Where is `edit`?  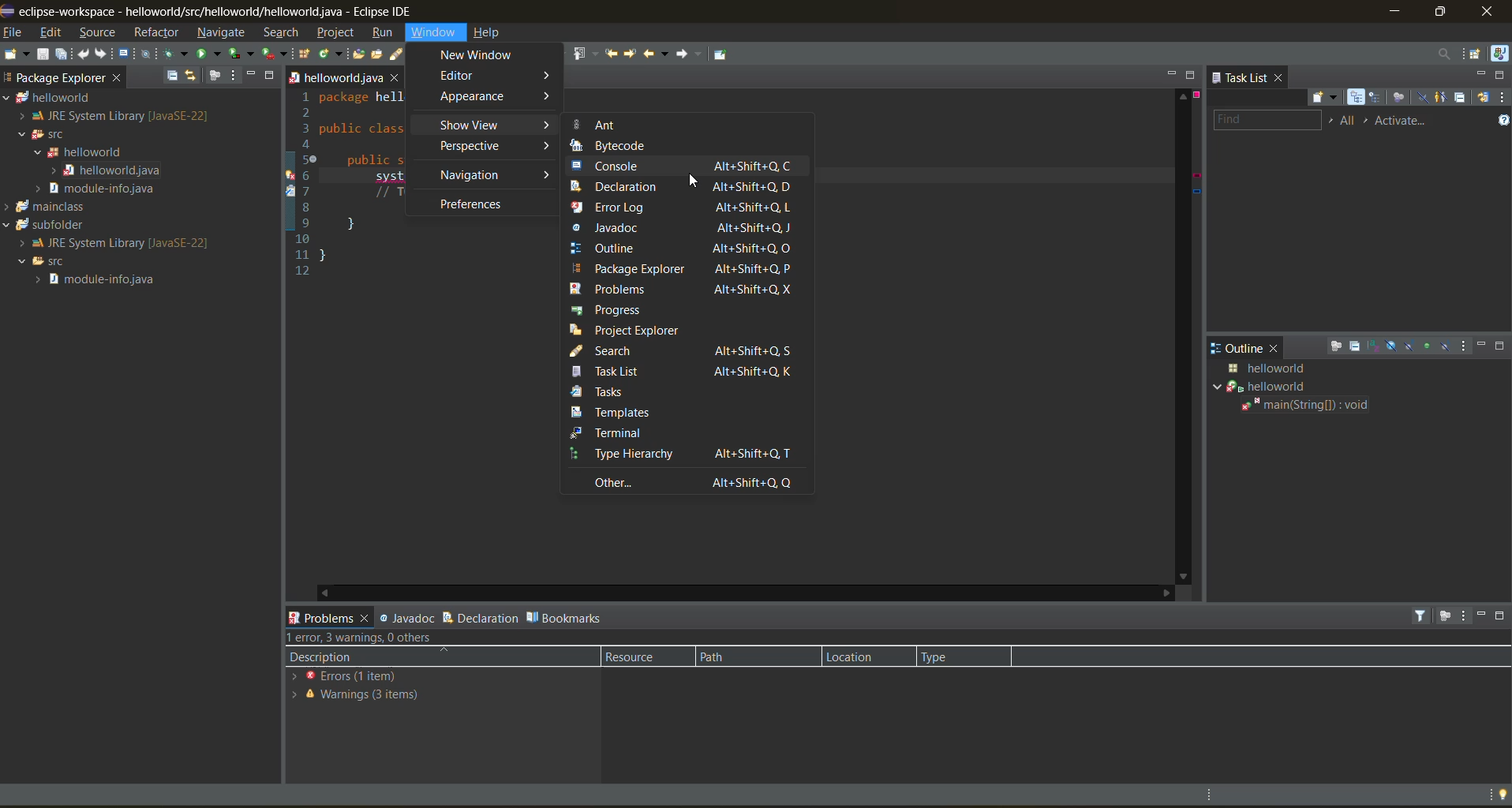
edit is located at coordinates (52, 32).